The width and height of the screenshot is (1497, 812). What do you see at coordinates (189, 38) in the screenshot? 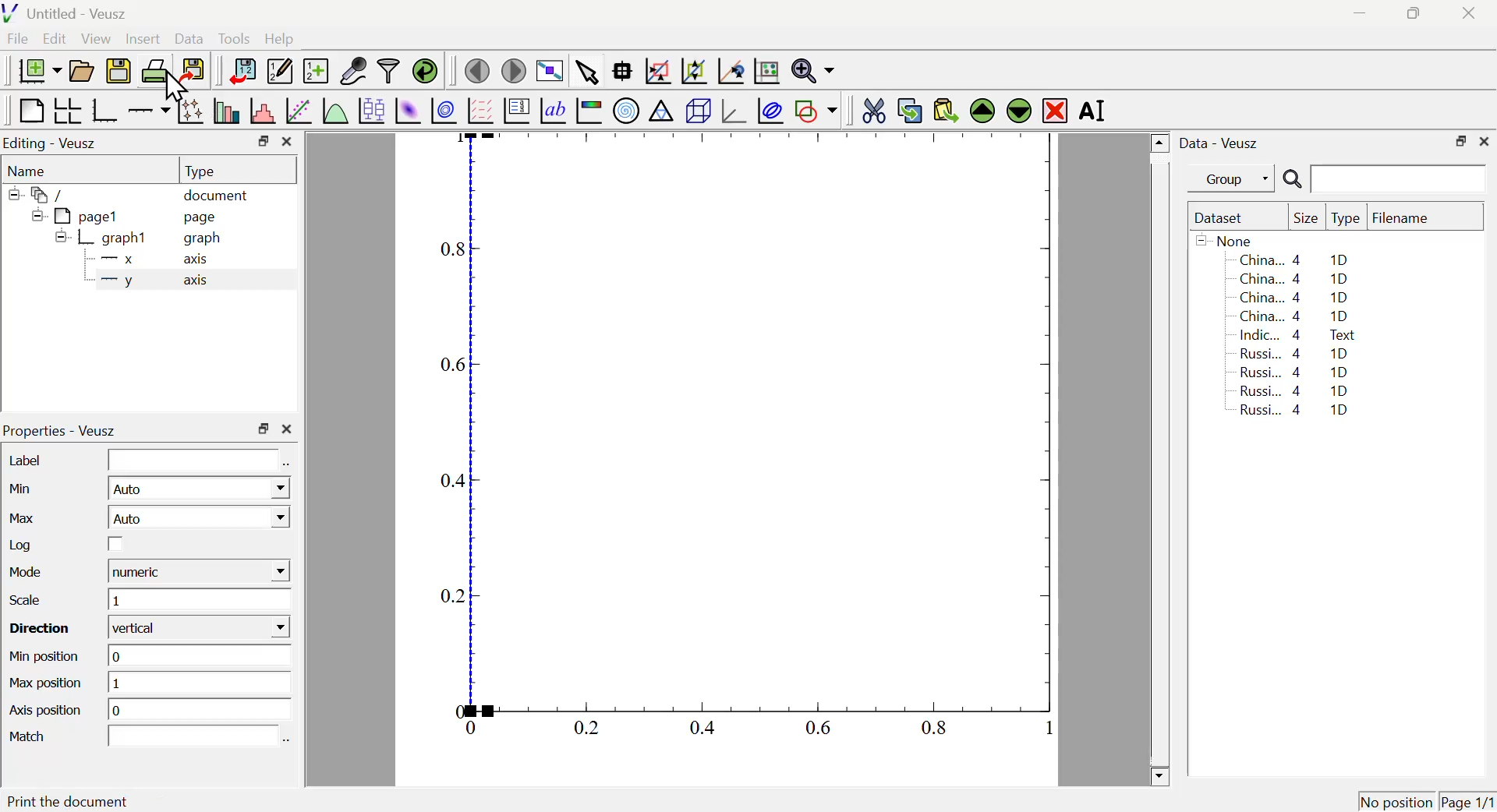
I see `Data` at bounding box center [189, 38].